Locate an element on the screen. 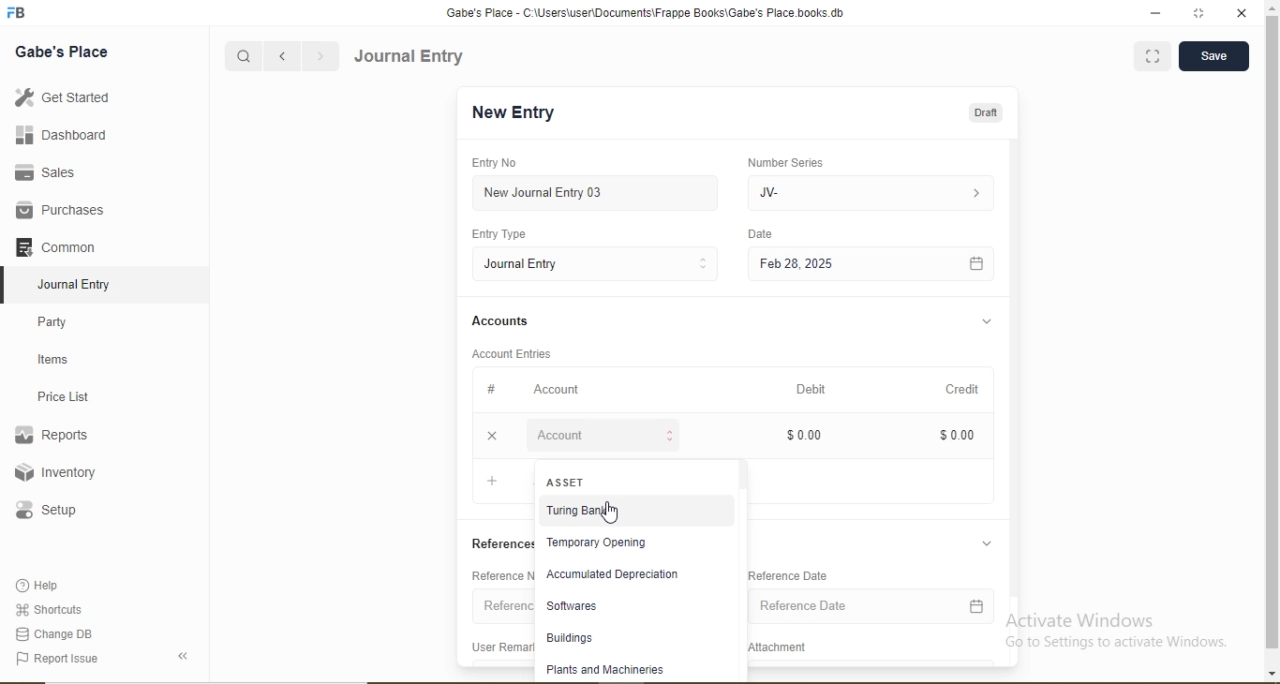 The height and width of the screenshot is (684, 1280). Back is located at coordinates (182, 656).